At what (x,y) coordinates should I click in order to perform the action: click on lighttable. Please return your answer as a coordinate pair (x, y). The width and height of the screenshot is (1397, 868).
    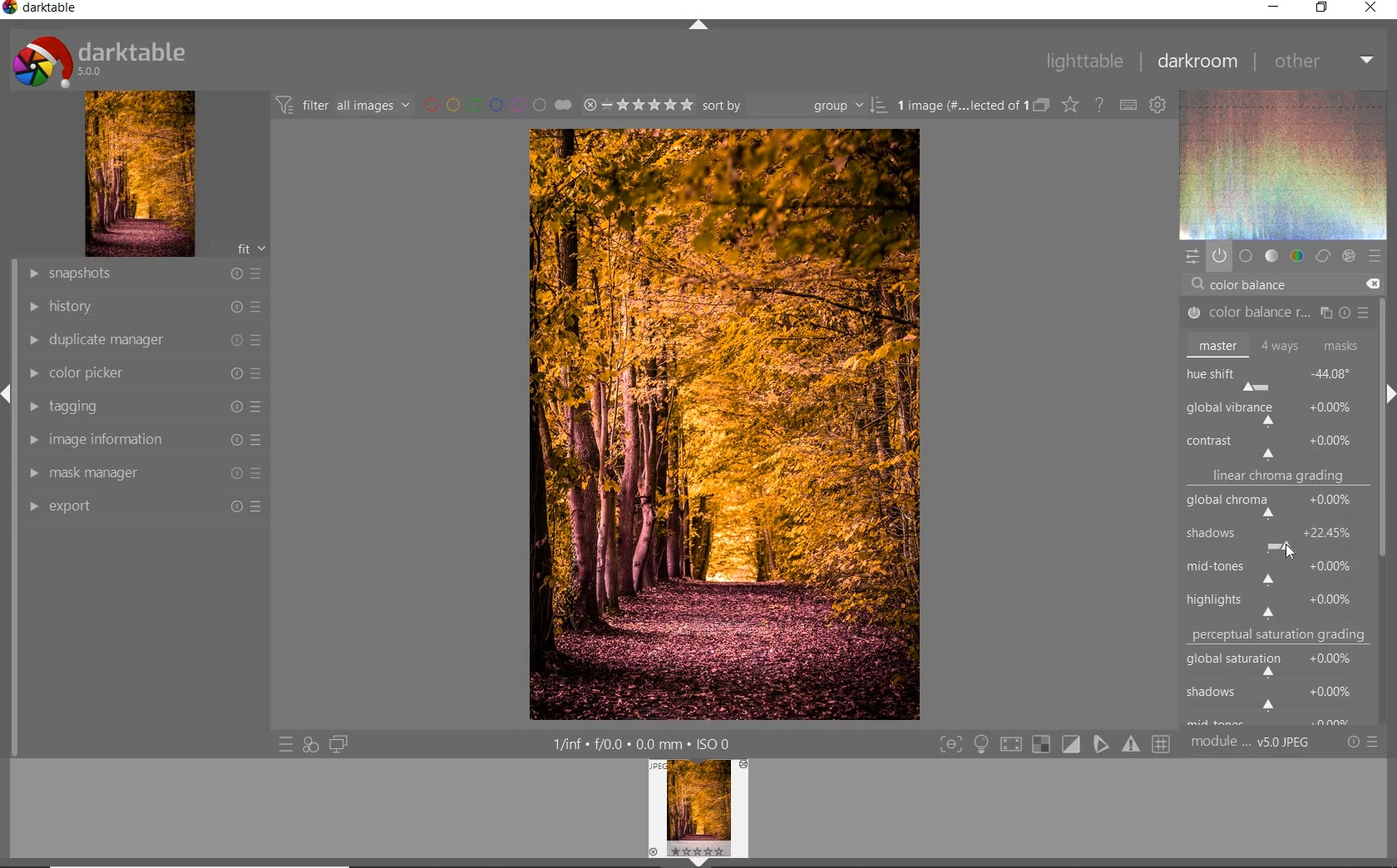
    Looking at the image, I should click on (1084, 62).